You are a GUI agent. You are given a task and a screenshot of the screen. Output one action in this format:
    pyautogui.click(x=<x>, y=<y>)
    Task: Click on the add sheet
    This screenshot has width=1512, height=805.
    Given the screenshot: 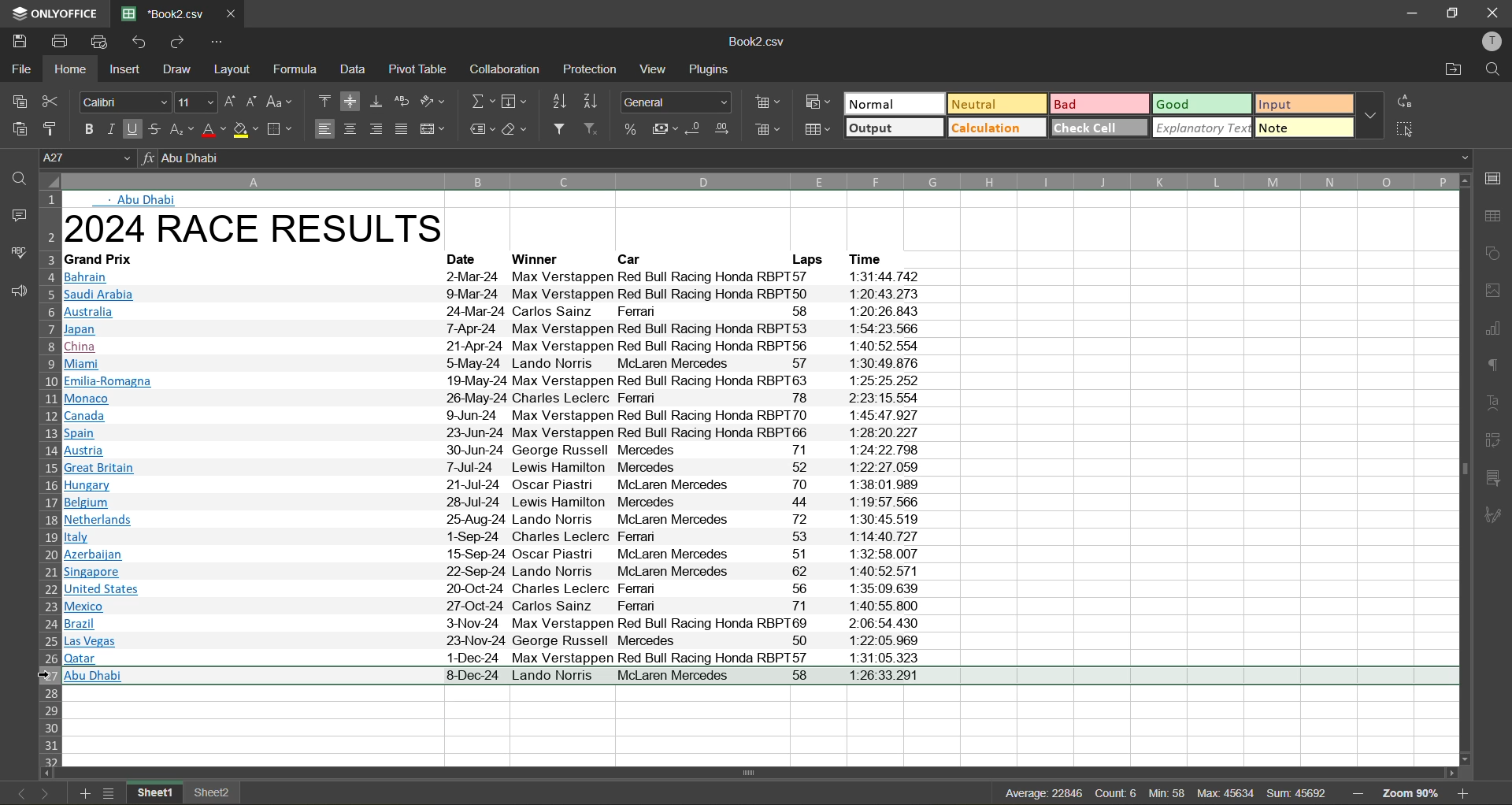 What is the action you would take?
    pyautogui.click(x=86, y=794)
    